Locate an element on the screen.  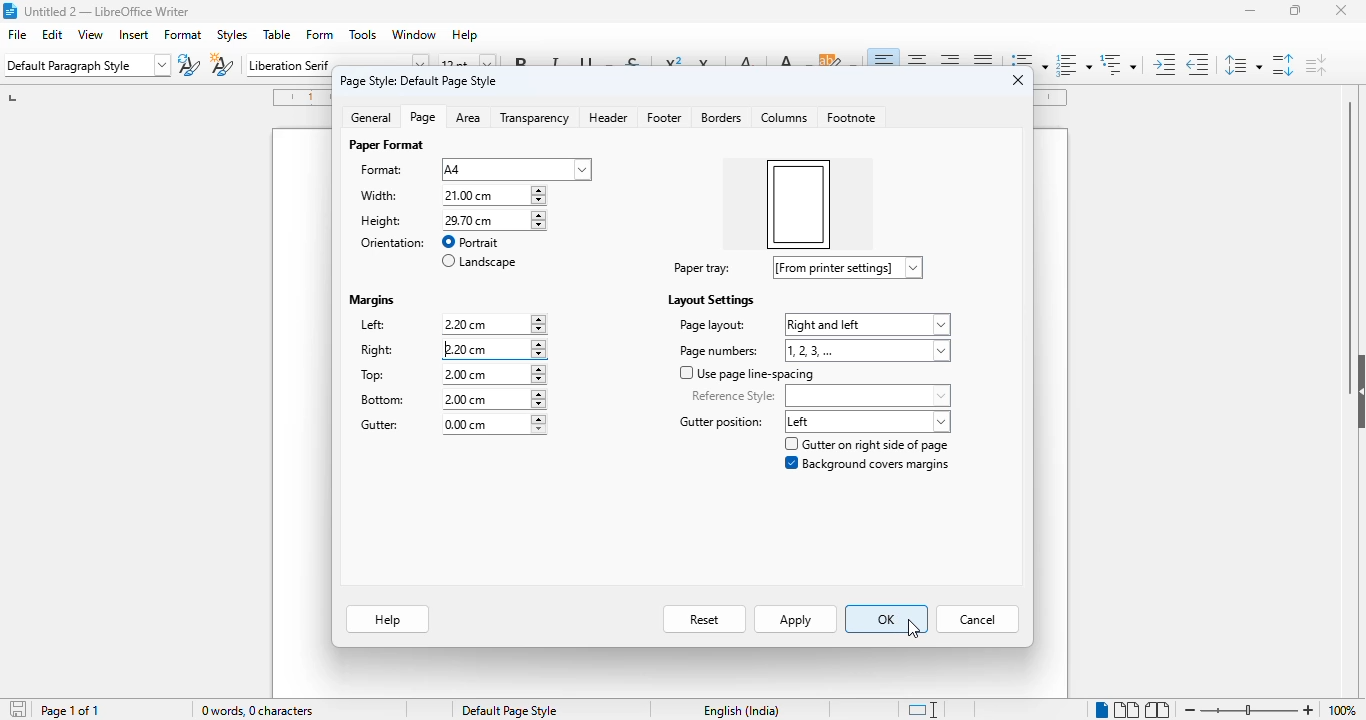
justified is located at coordinates (985, 60).